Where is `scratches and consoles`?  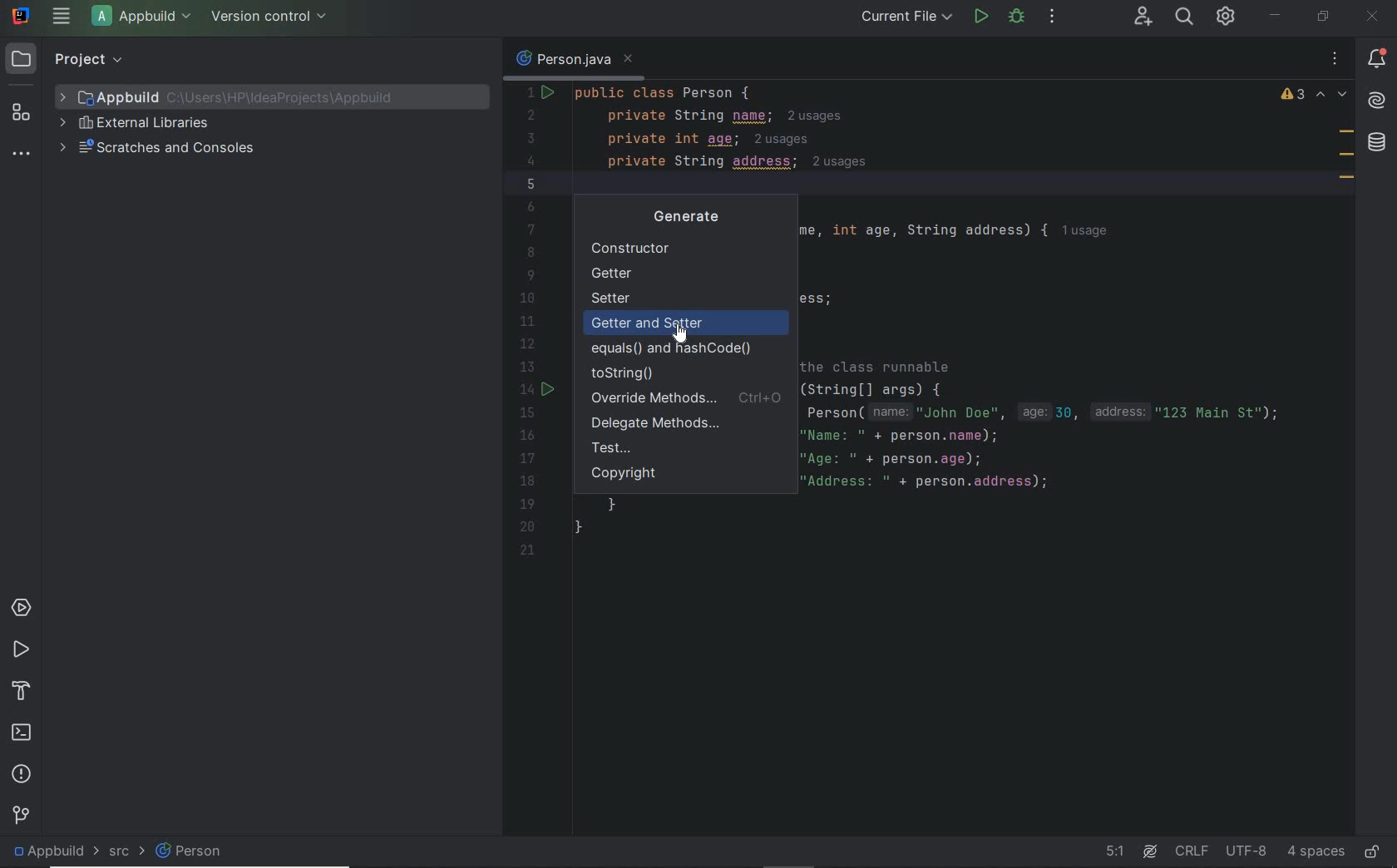
scratches and consoles is located at coordinates (160, 147).